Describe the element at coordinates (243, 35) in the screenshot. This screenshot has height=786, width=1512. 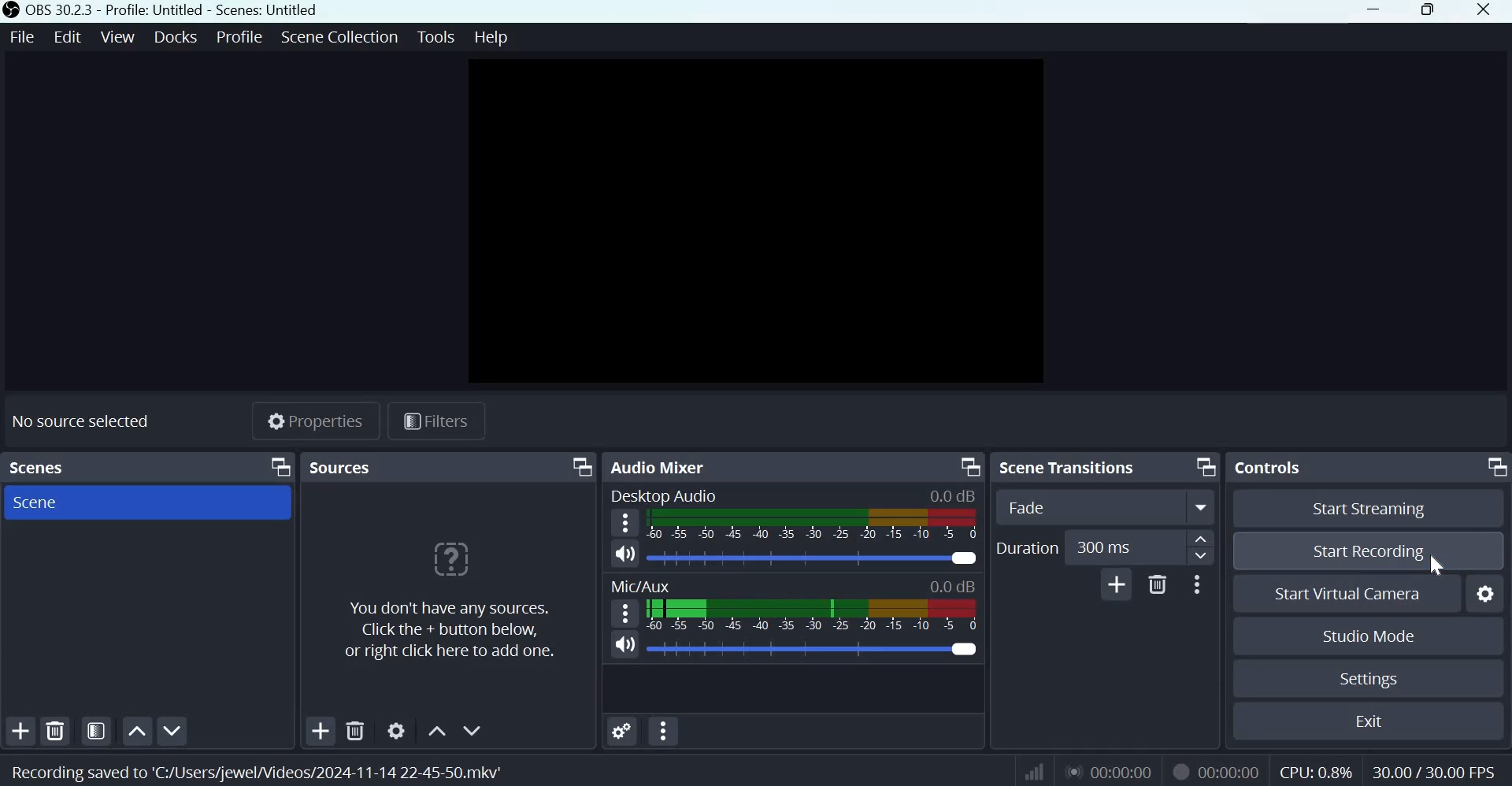
I see `Profile` at that location.